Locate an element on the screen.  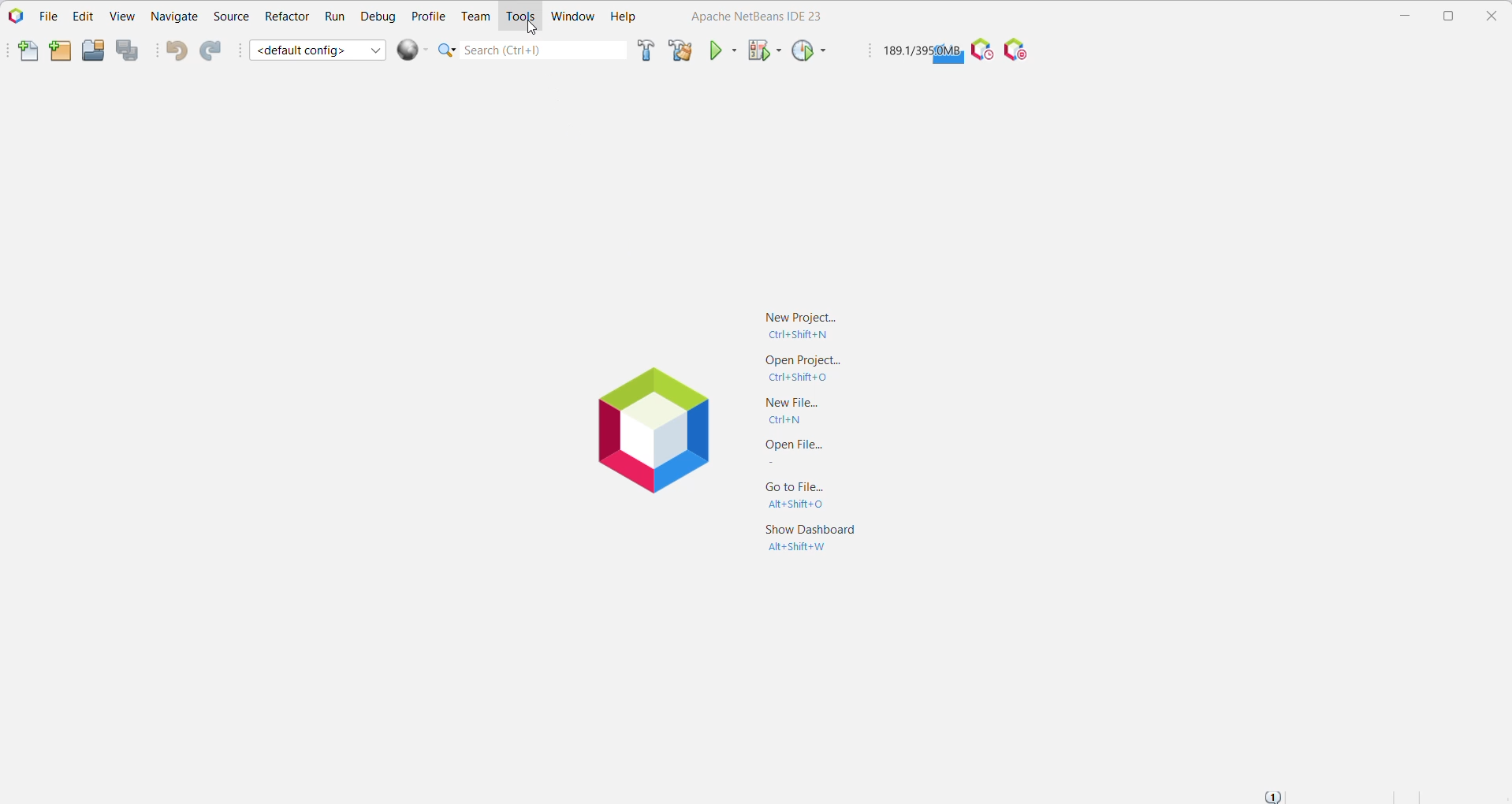
Set Project Configuration is located at coordinates (318, 49).